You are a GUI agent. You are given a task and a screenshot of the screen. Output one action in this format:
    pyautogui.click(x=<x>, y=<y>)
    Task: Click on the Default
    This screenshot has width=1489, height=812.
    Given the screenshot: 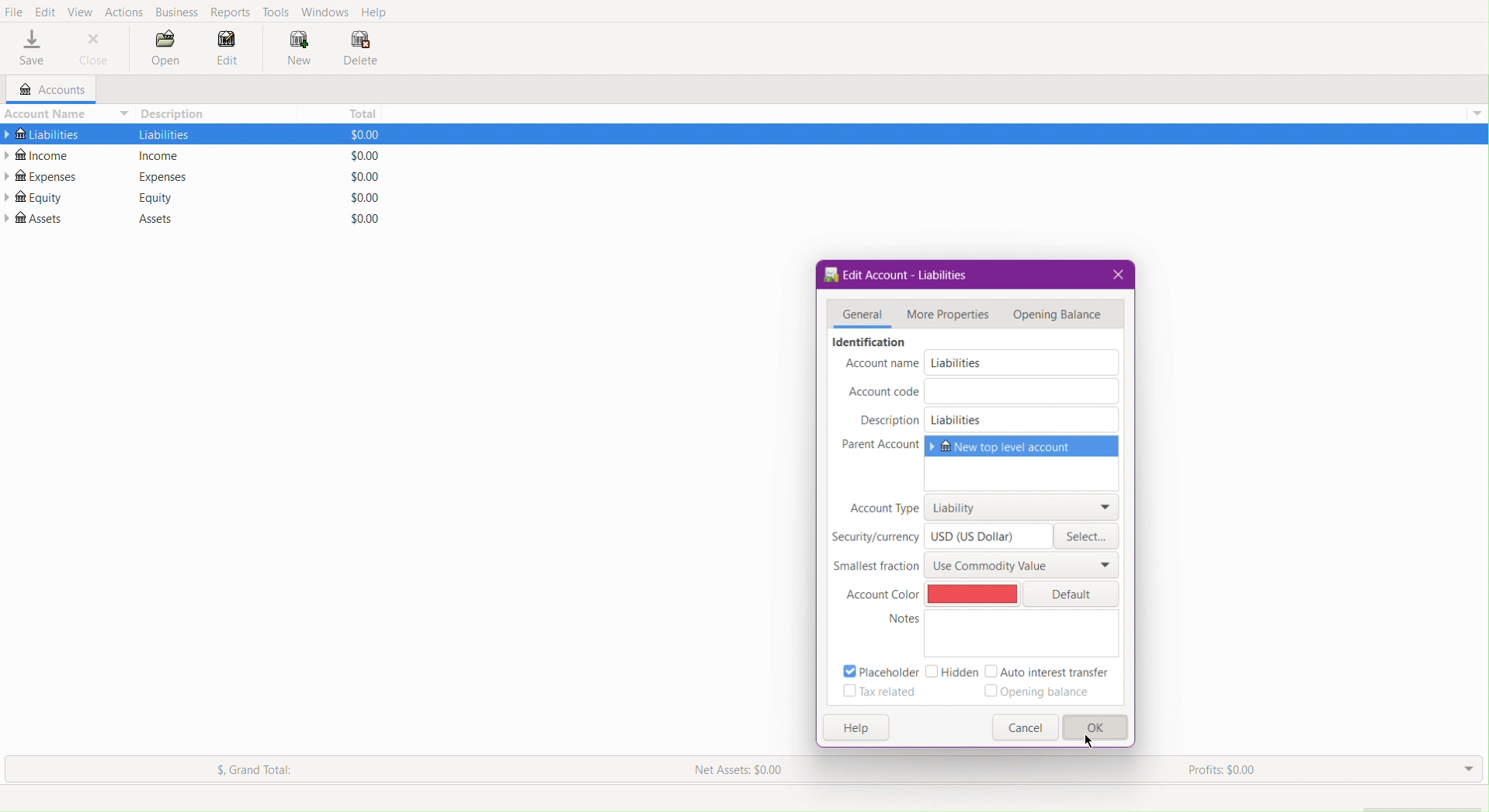 What is the action you would take?
    pyautogui.click(x=1071, y=595)
    